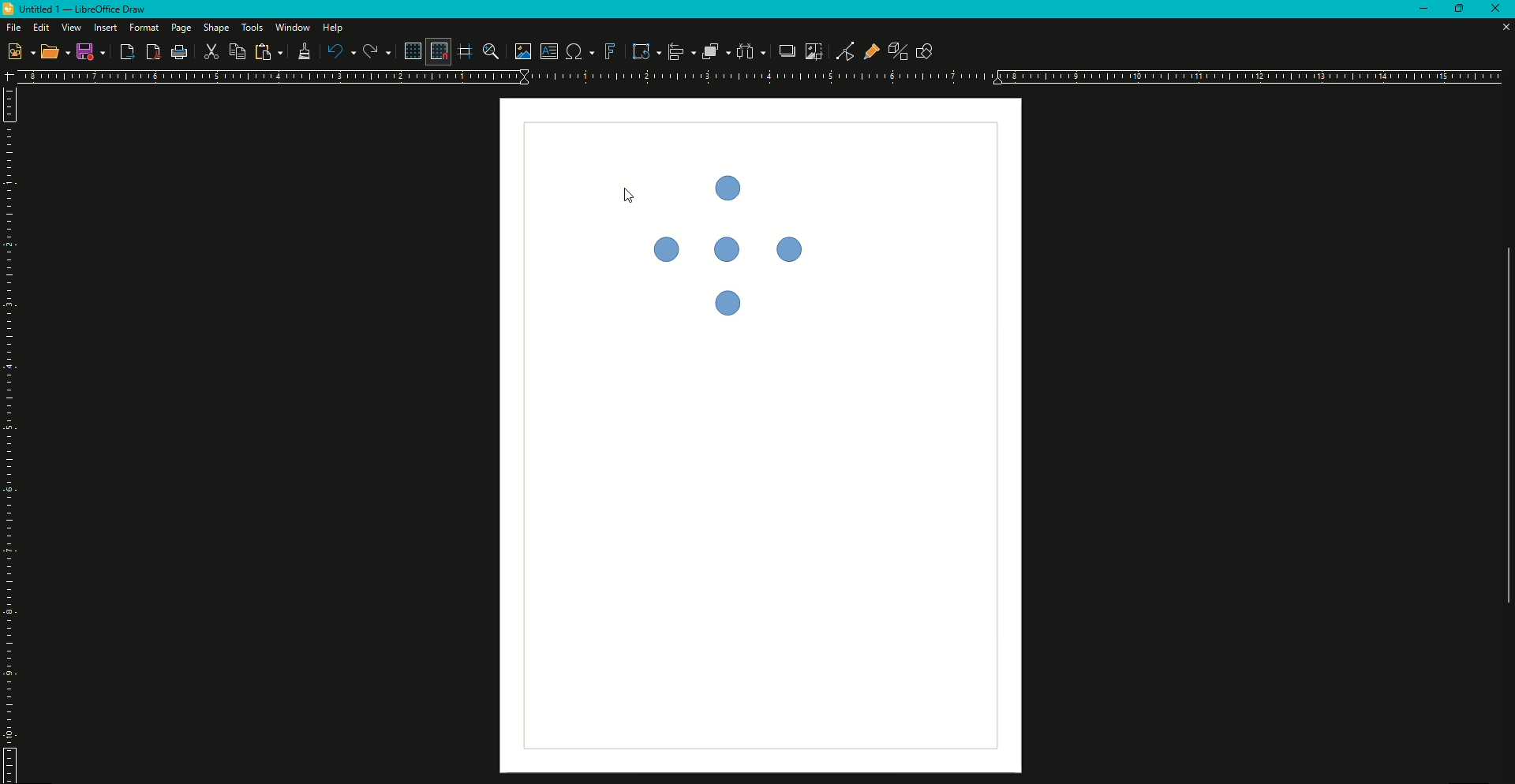 Image resolution: width=1515 pixels, height=784 pixels. Describe the element at coordinates (54, 54) in the screenshot. I see `Open` at that location.